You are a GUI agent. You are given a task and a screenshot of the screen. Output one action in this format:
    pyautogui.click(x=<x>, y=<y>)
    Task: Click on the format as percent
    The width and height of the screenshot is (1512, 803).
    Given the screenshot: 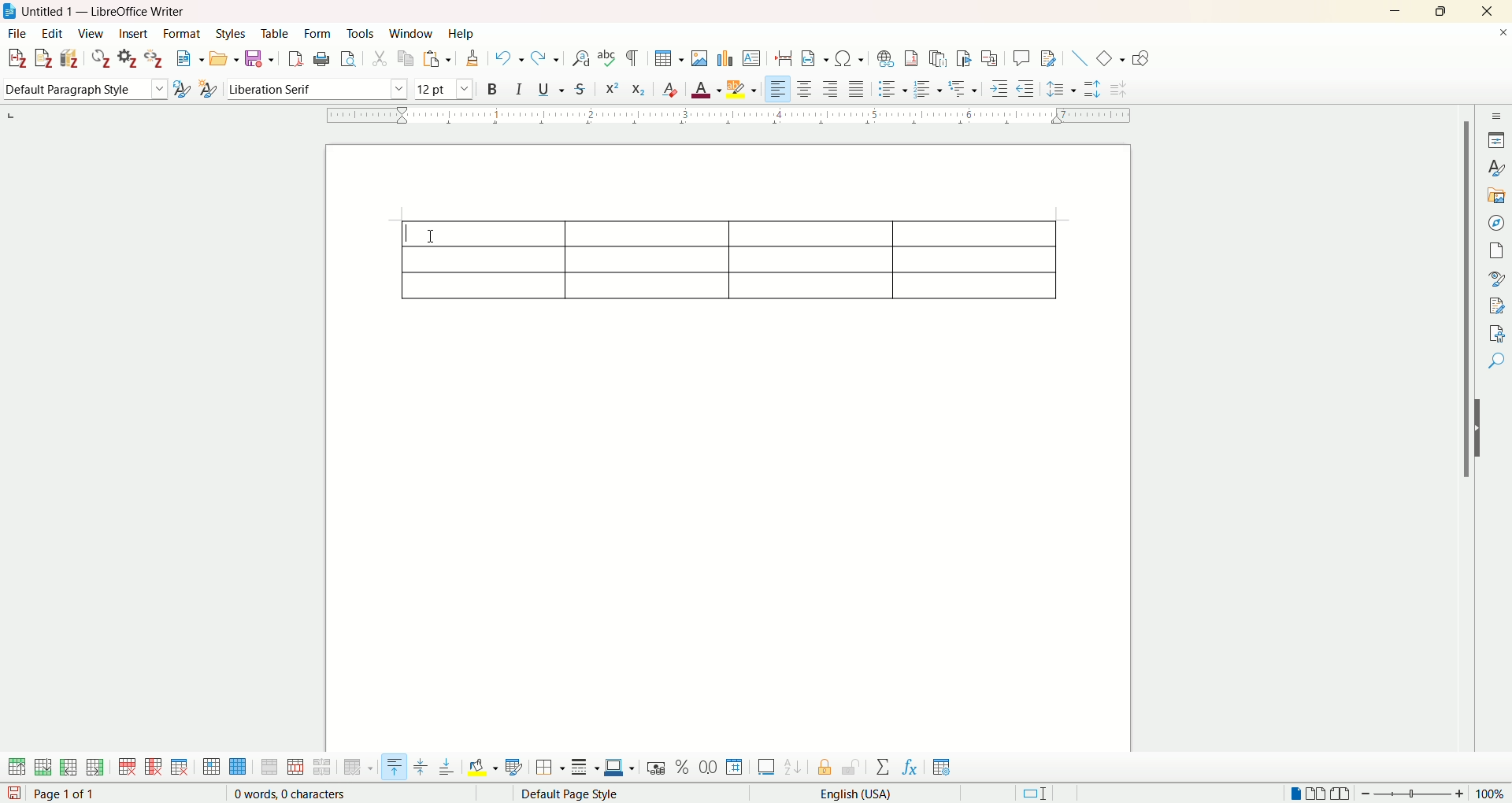 What is the action you would take?
    pyautogui.click(x=682, y=769)
    